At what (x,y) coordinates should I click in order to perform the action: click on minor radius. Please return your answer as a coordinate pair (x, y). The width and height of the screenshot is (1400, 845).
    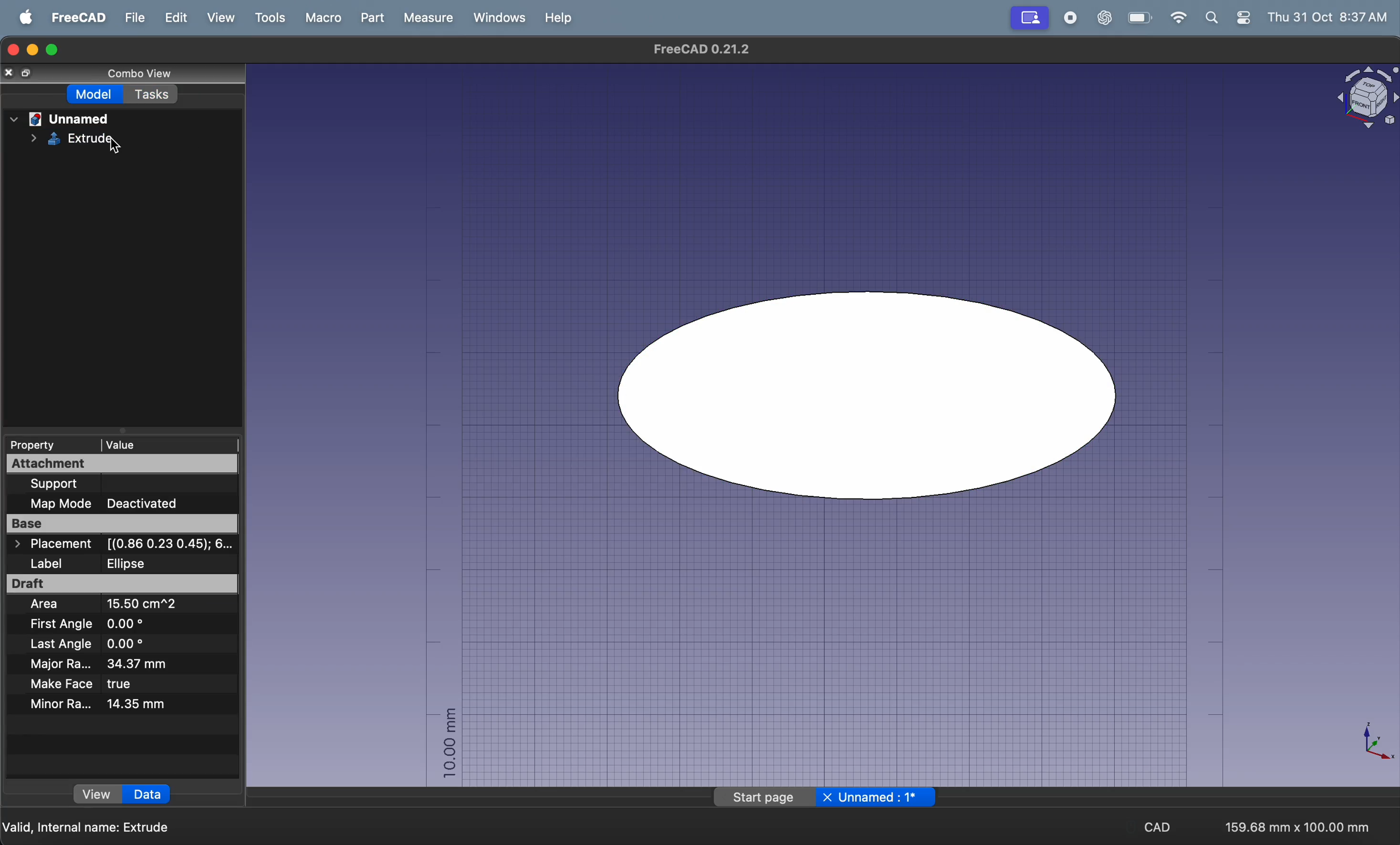
    Looking at the image, I should click on (103, 704).